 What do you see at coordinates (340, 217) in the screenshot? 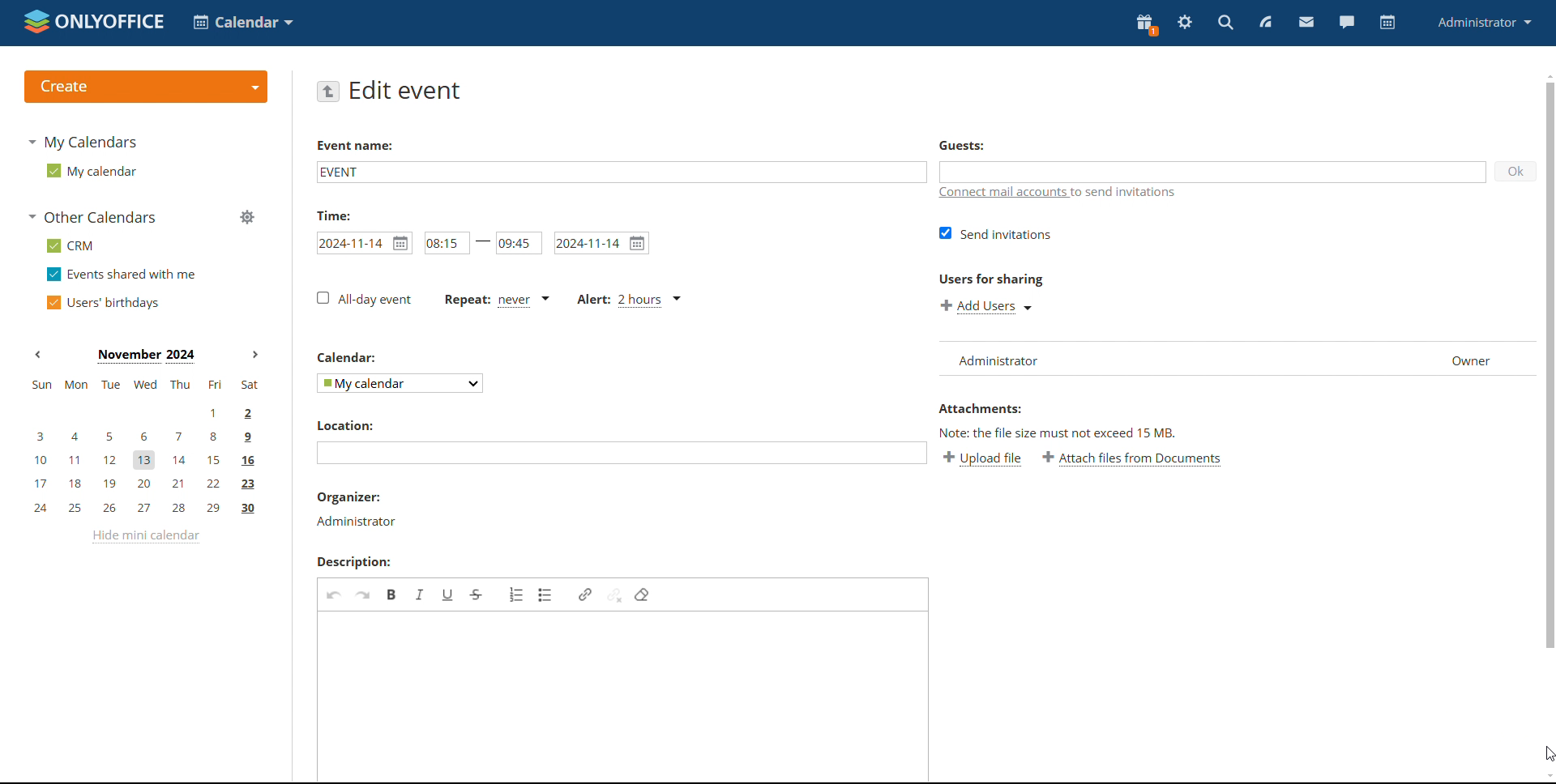
I see `time label` at bounding box center [340, 217].